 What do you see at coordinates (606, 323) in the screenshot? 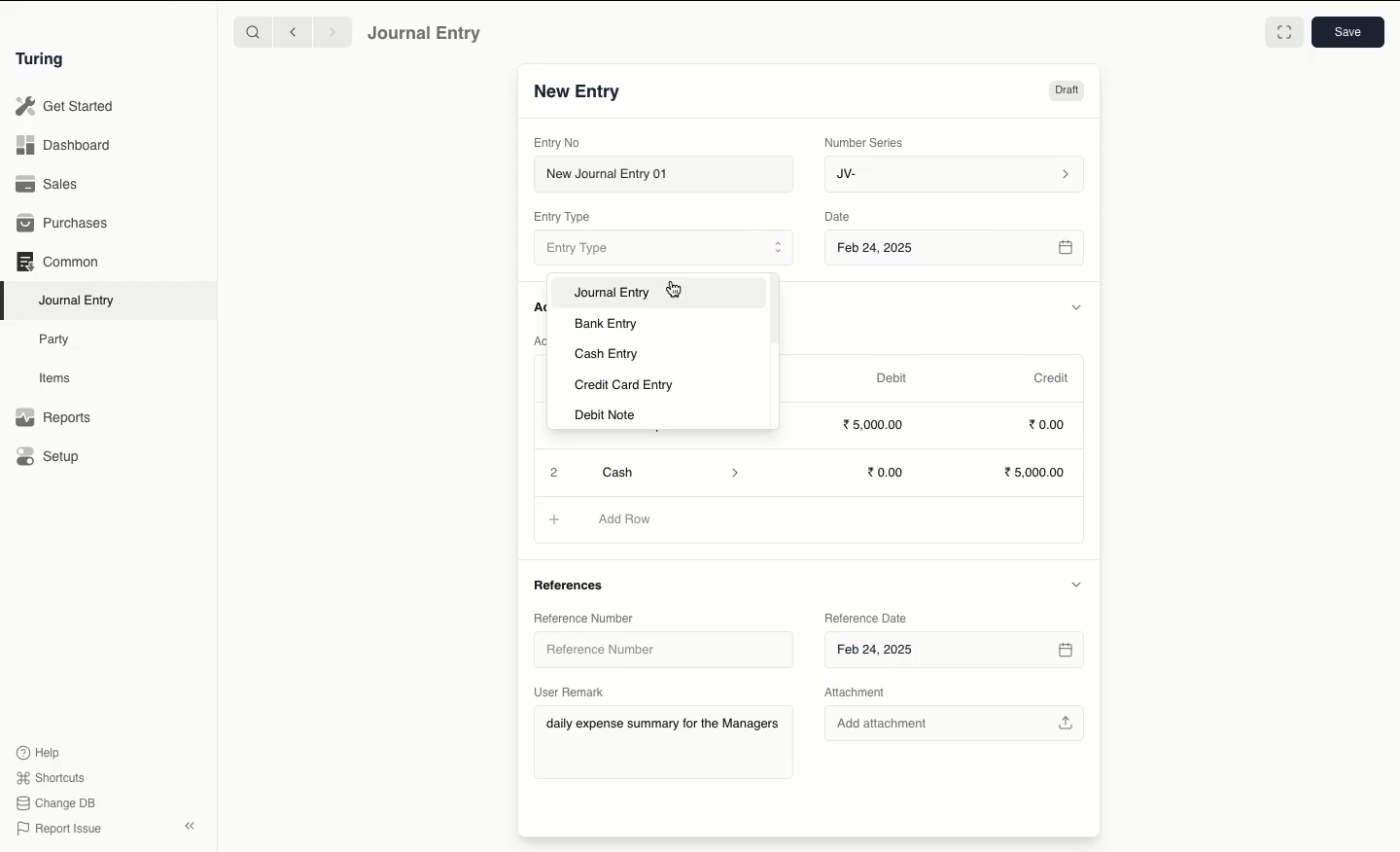
I see `Bank Entry` at bounding box center [606, 323].